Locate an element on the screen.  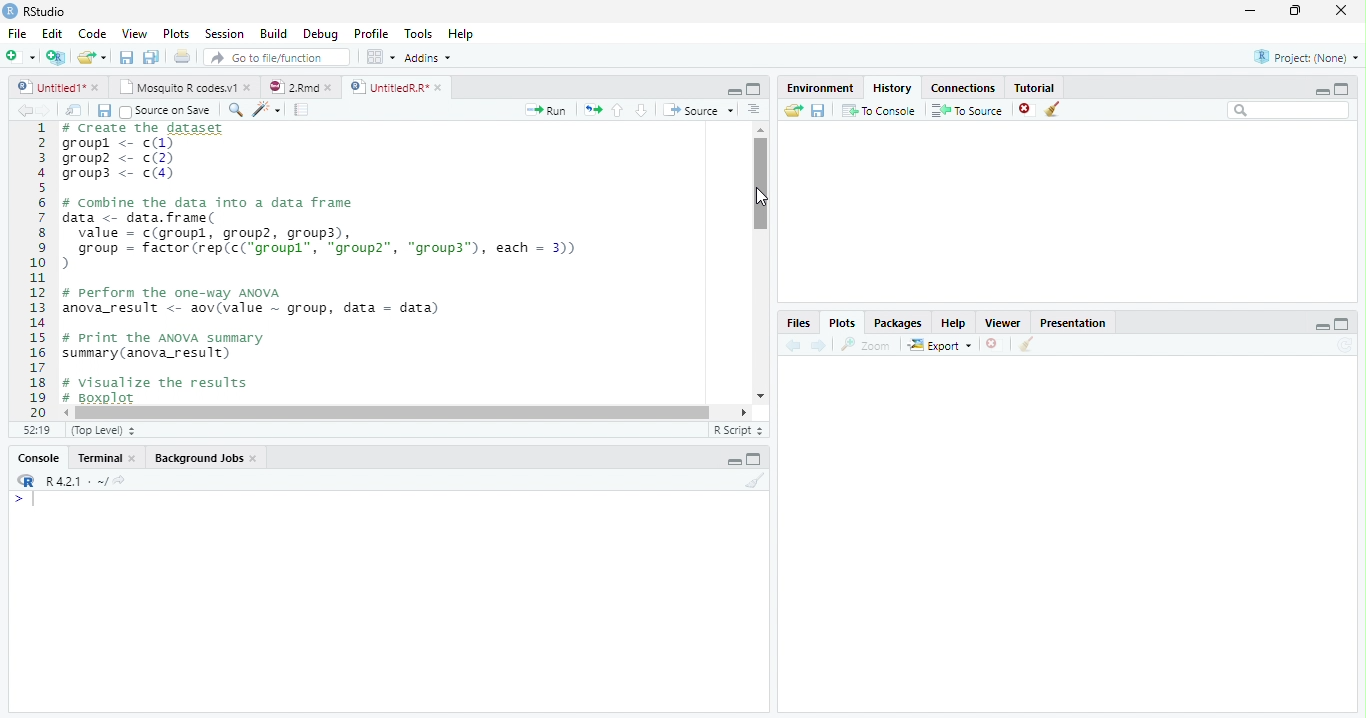
geom boxplot() + Tabs(title = “soxplot of values by Group”, x = “Group”, y = “"value") +theme_minimal ()# mean plot with ggplot2group_means <- aggregate(value ~ group, data = data, mean)ggplot(group_means, aes(x = group, y = value, group = 1)) + #group=1 needed for line pgeon_line() +geon_point() +Tabs(title = “Mean Plot of values by Group”, x = “Group”, y = “Mean value") +theme_minimal ()# Tukey's Hsp for pairwise comparisons (post-hoc test)tukey_result <- TukeyHsD(anova_result)print (tukey_result)#visualize Tukey's HSD results is located at coordinates (400, 264).